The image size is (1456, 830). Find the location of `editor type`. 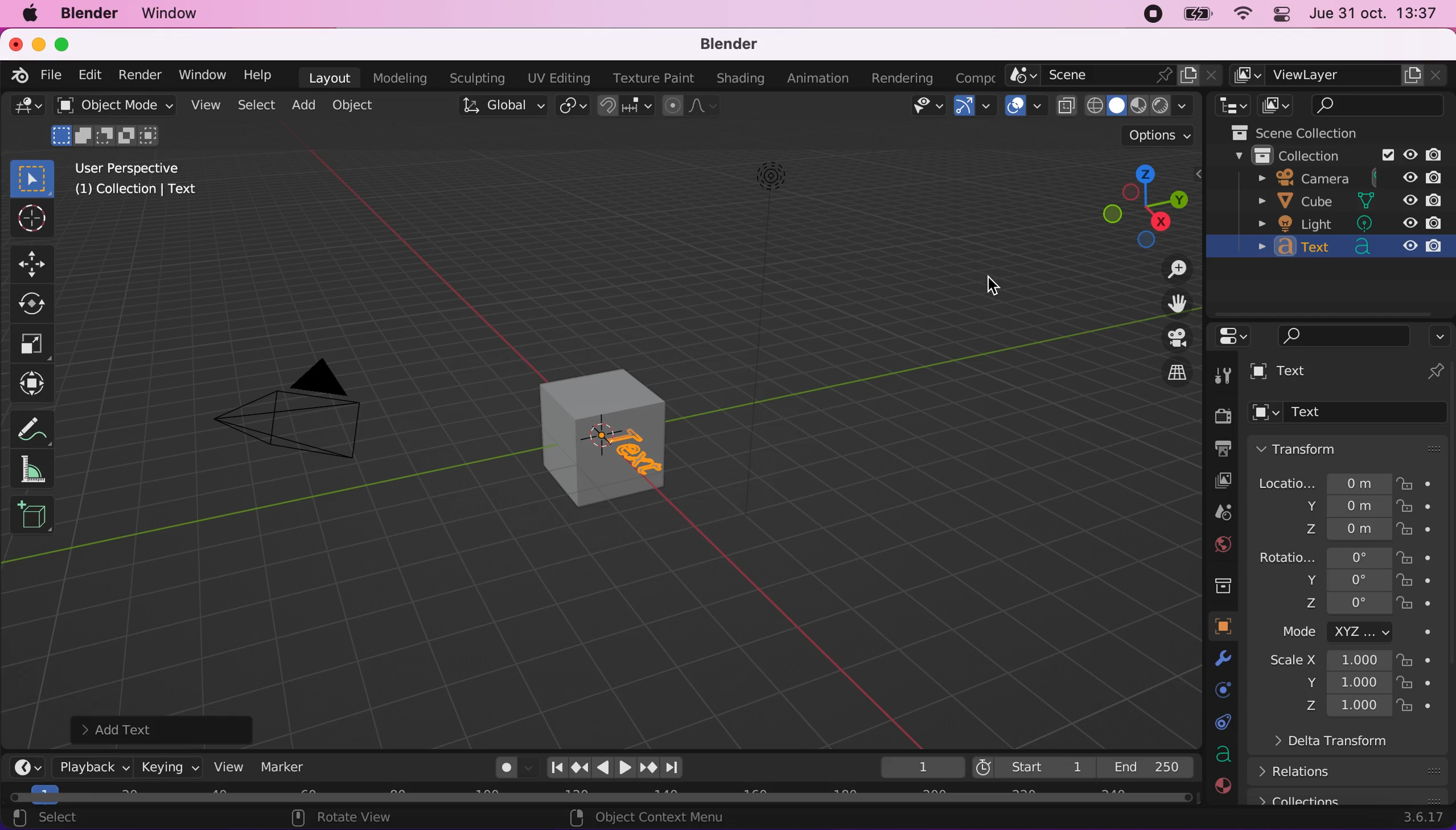

editor type is located at coordinates (1233, 335).